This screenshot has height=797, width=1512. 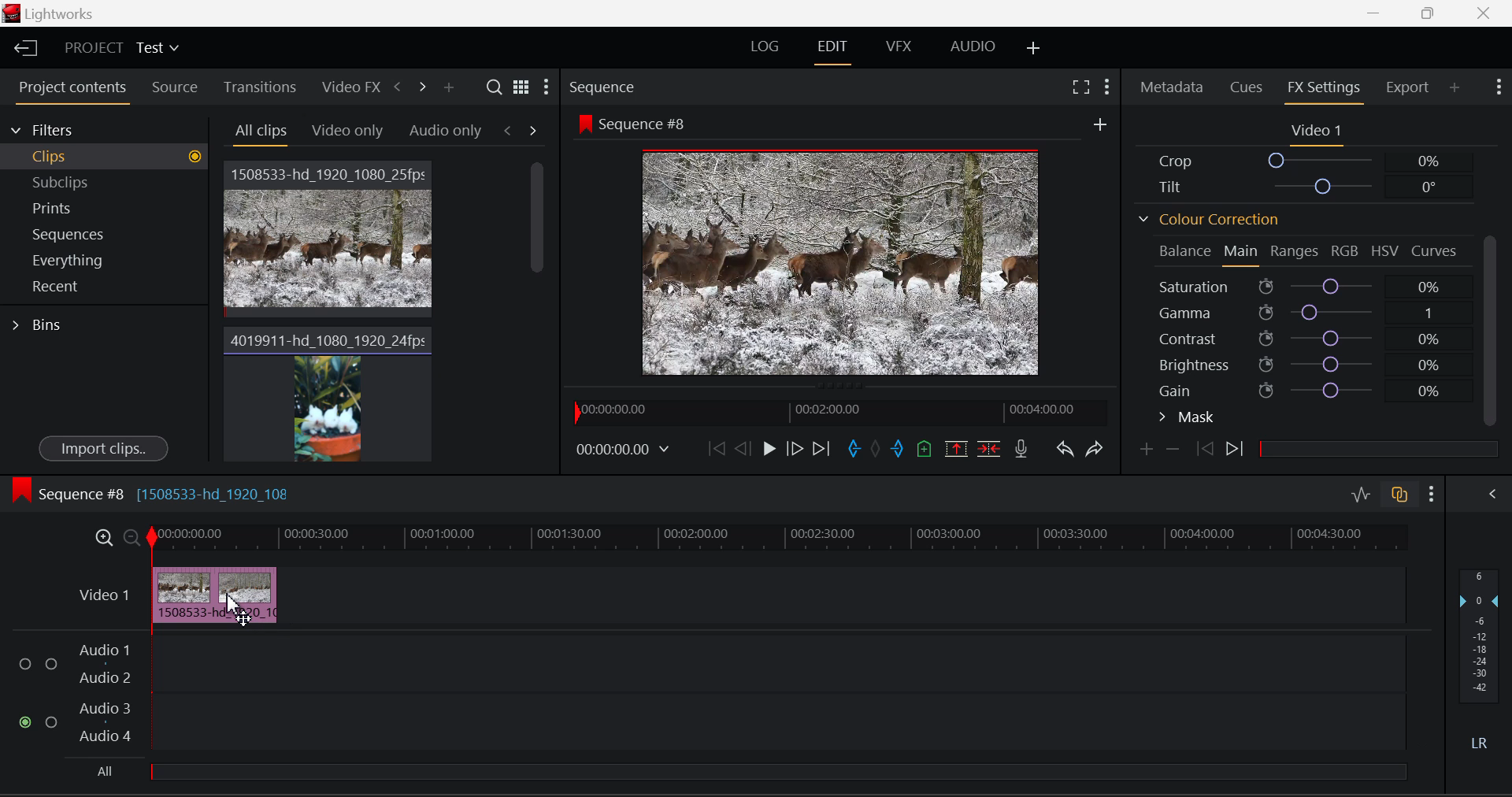 I want to click on EDIT, so click(x=836, y=50).